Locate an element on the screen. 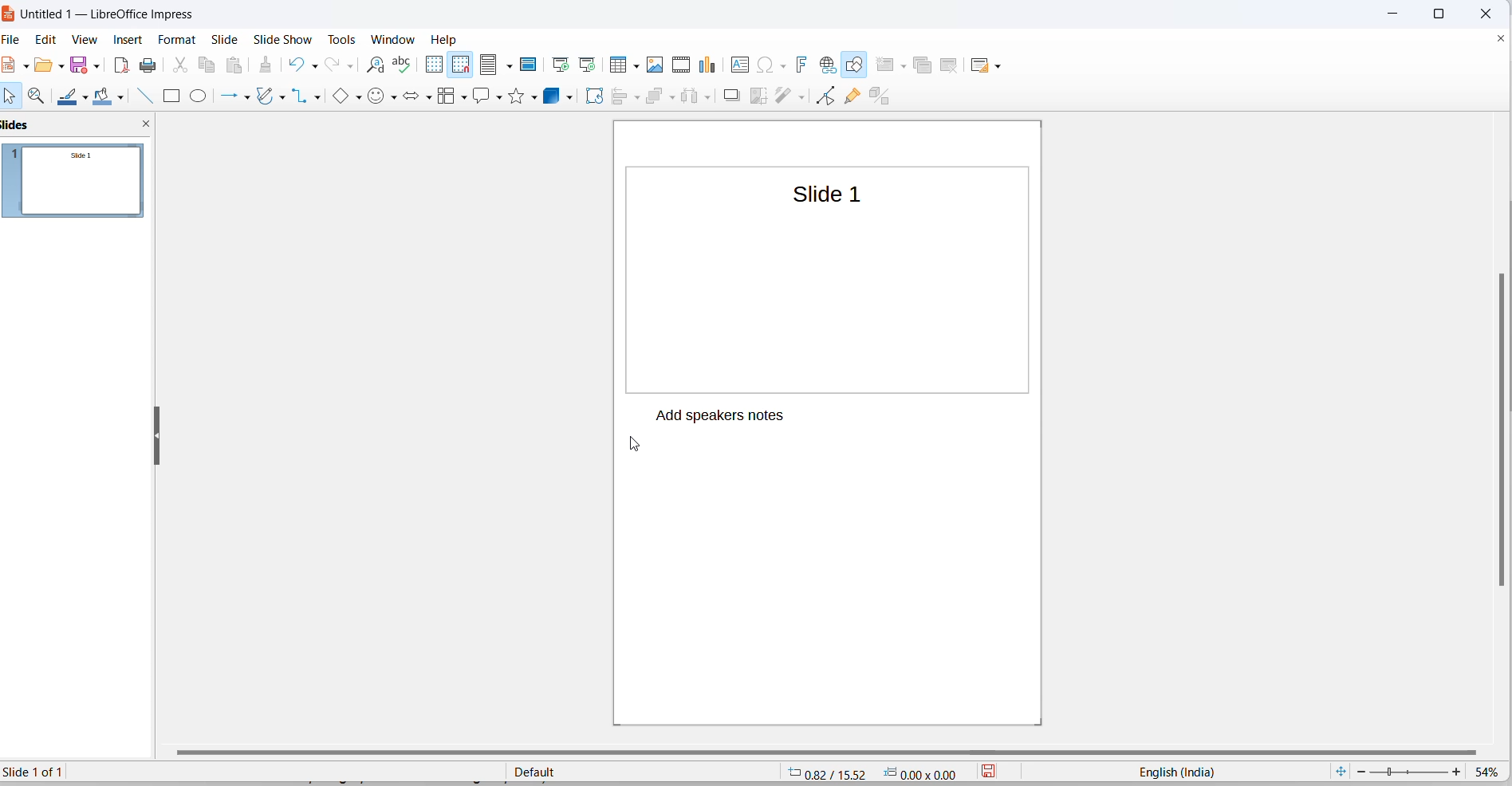 The image size is (1512, 786). rotate is located at coordinates (598, 96).